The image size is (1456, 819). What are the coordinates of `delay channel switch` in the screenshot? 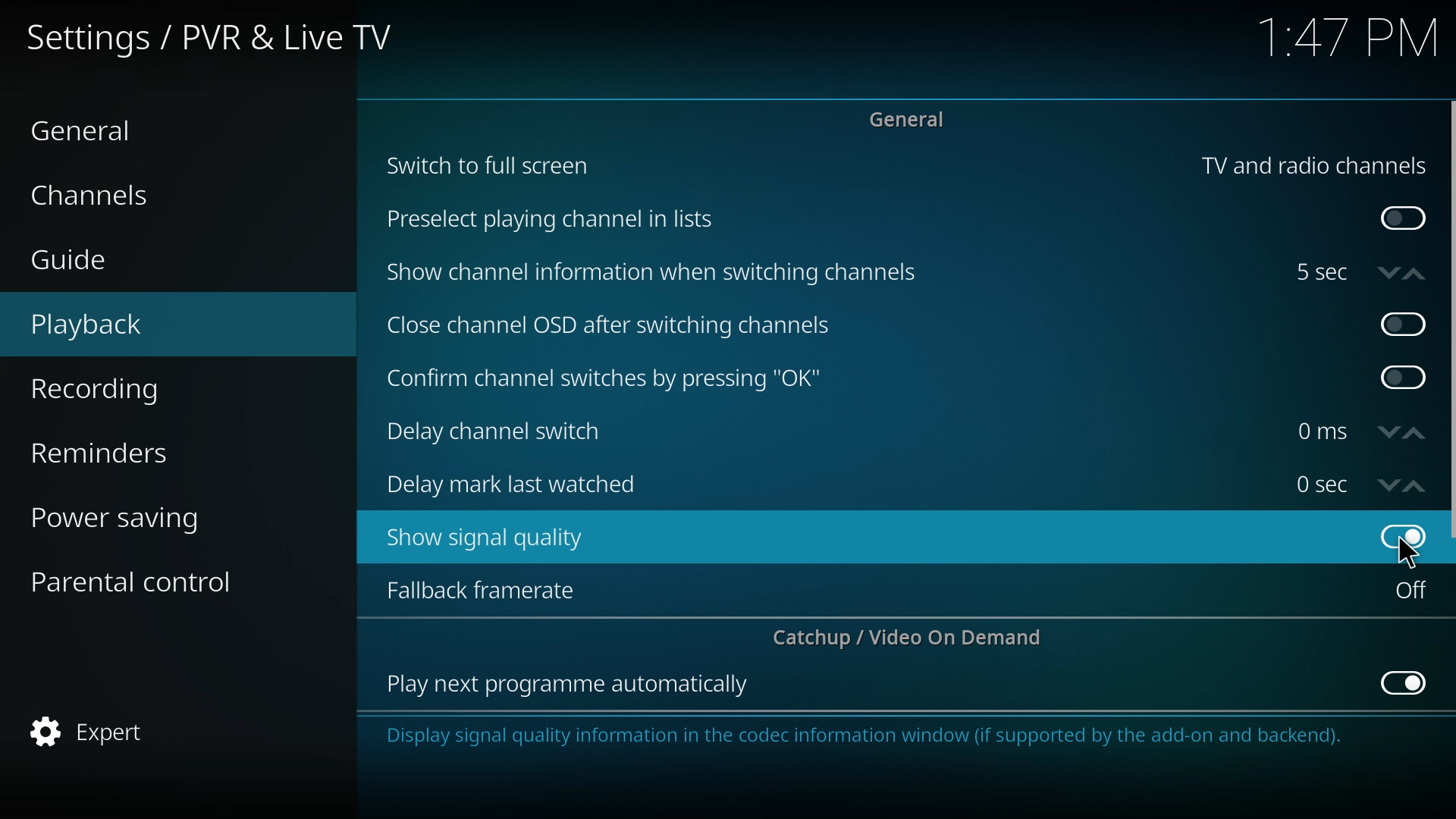 It's located at (507, 431).